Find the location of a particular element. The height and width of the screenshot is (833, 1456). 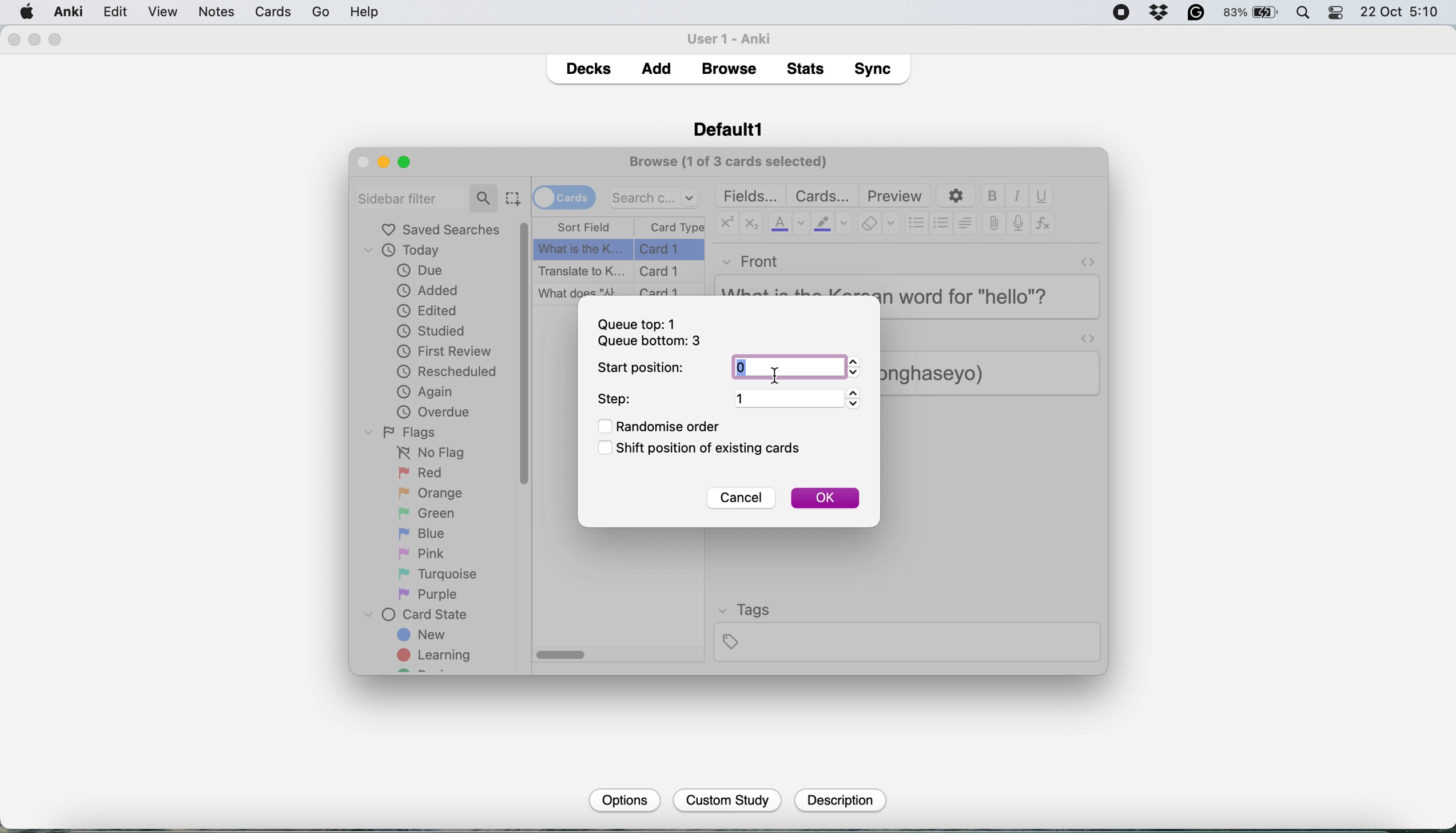

enter new position is located at coordinates (744, 369).